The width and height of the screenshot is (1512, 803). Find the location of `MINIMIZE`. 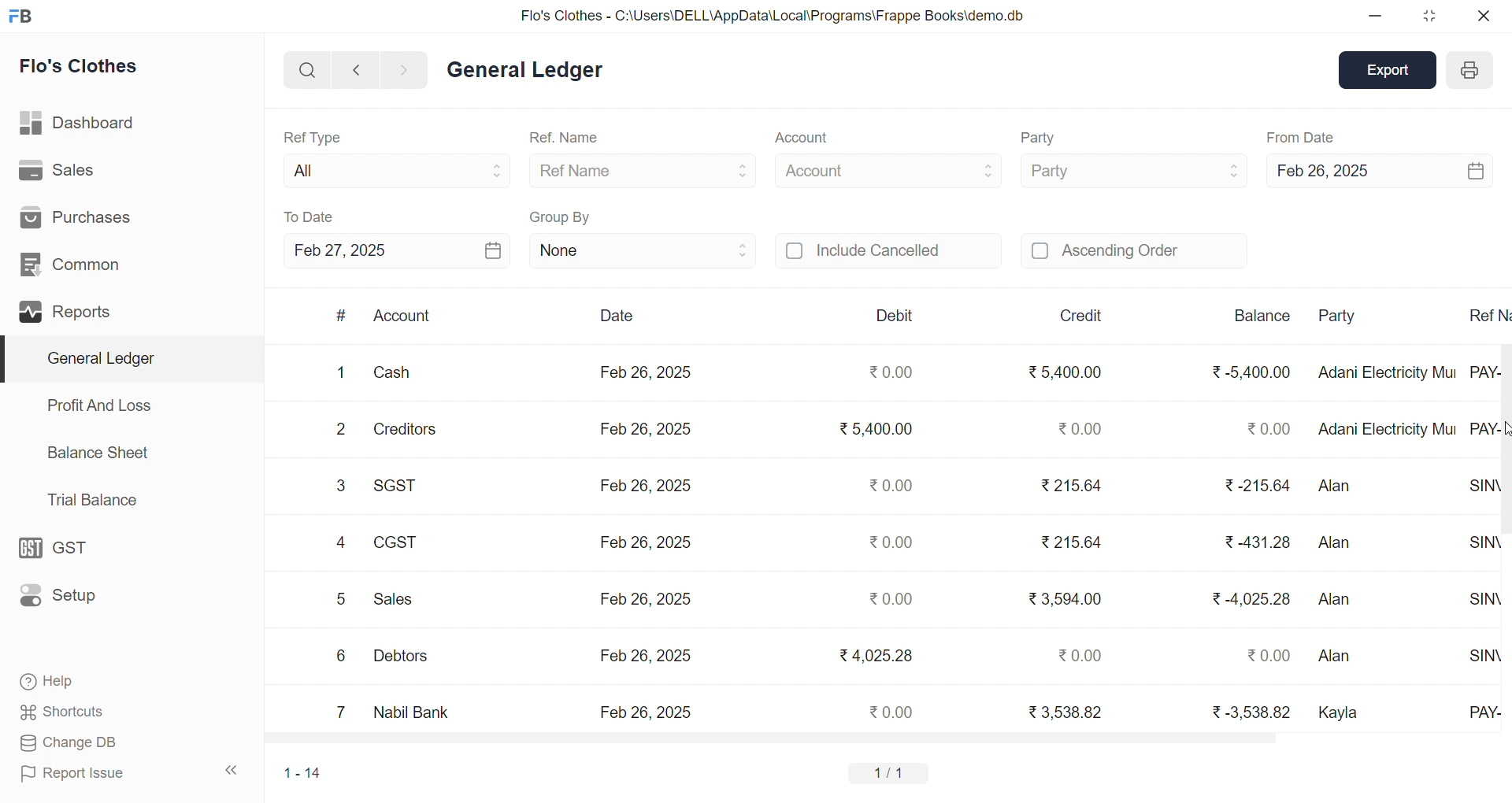

MINIMIZE is located at coordinates (1376, 17).